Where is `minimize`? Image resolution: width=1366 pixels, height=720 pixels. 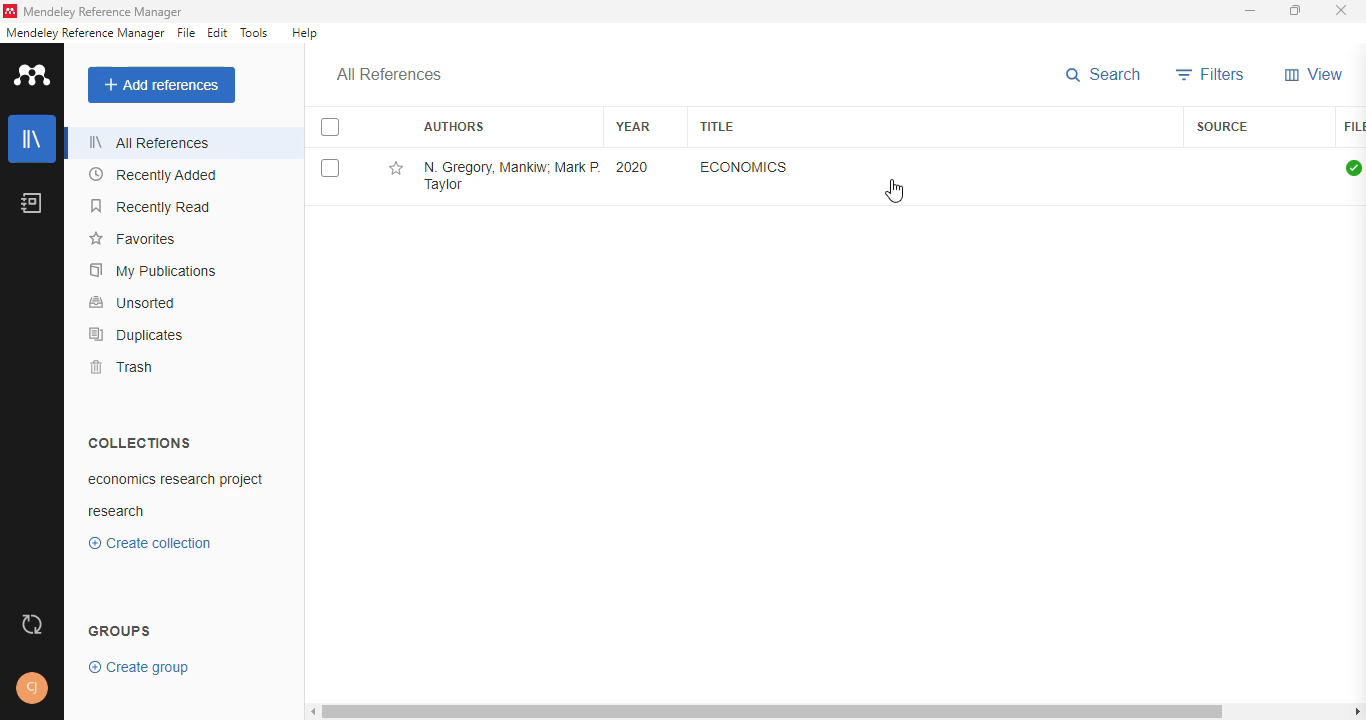 minimize is located at coordinates (1251, 11).